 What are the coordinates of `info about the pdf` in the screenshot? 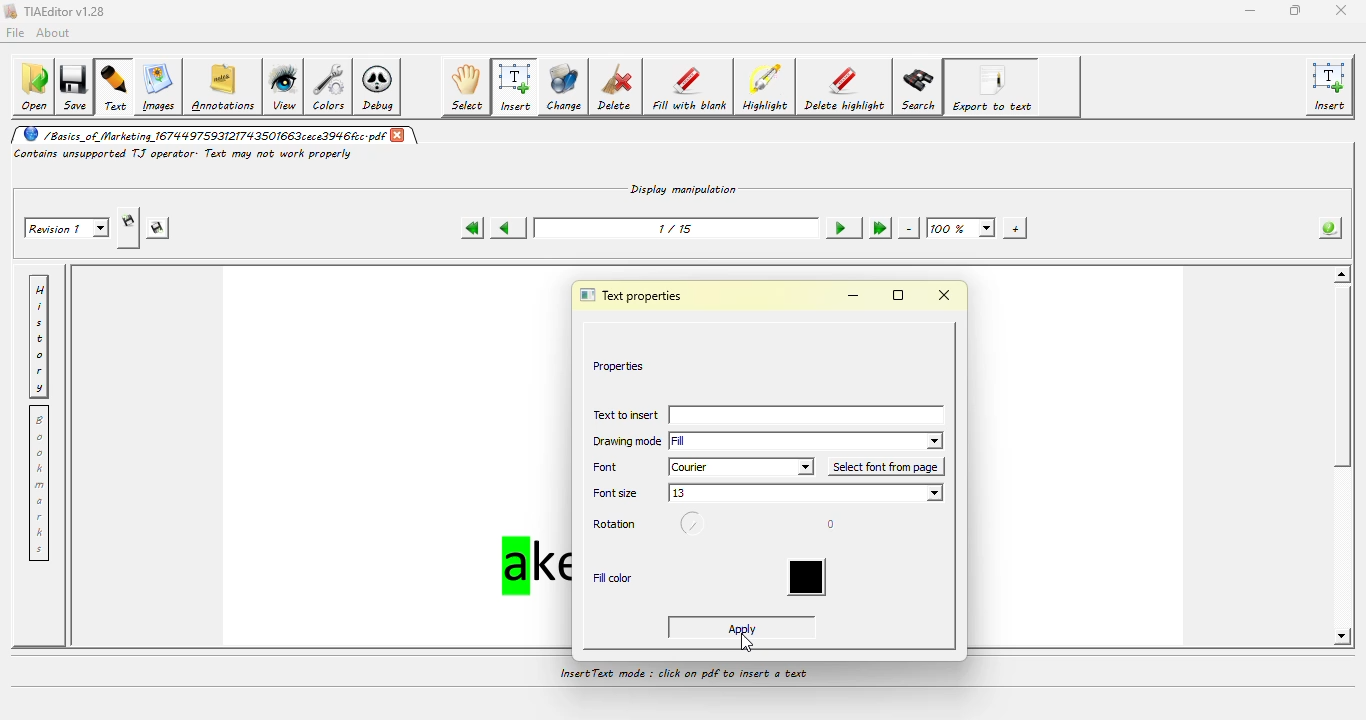 It's located at (1325, 230).